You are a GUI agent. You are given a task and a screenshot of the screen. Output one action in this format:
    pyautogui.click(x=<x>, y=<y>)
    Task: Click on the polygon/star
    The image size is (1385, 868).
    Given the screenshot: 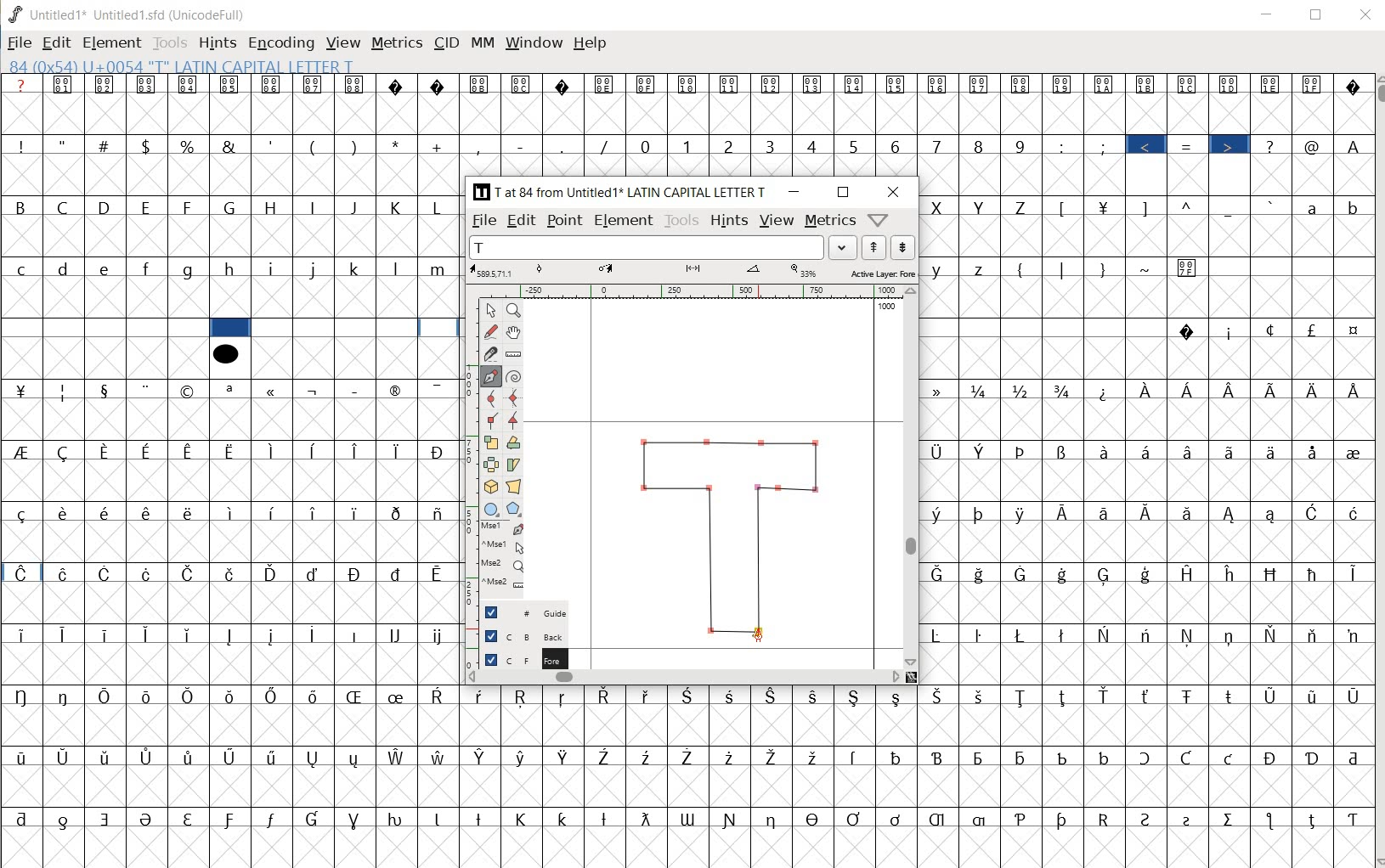 What is the action you would take?
    pyautogui.click(x=513, y=509)
    